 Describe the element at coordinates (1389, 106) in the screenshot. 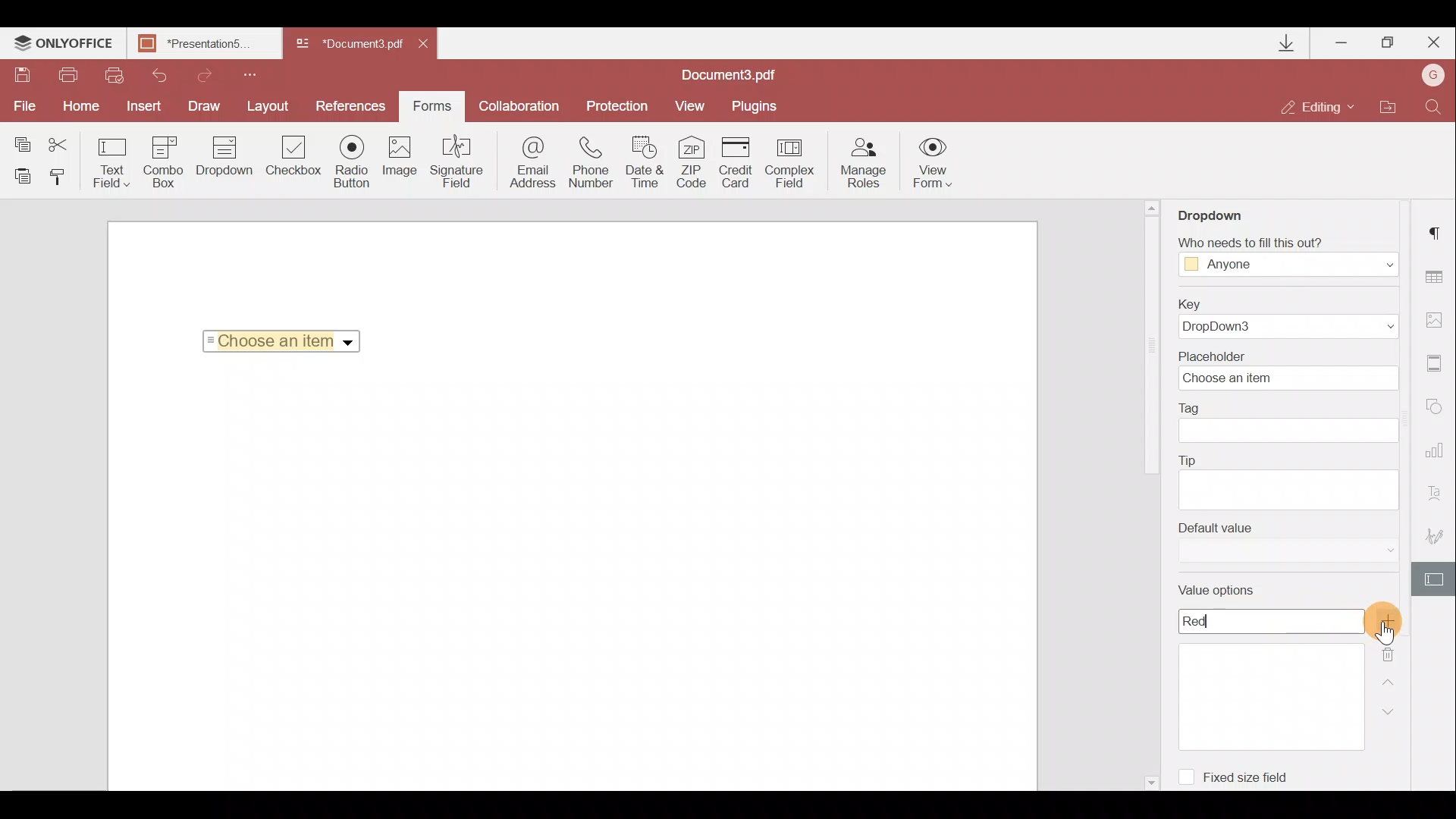

I see `Open file location` at that location.